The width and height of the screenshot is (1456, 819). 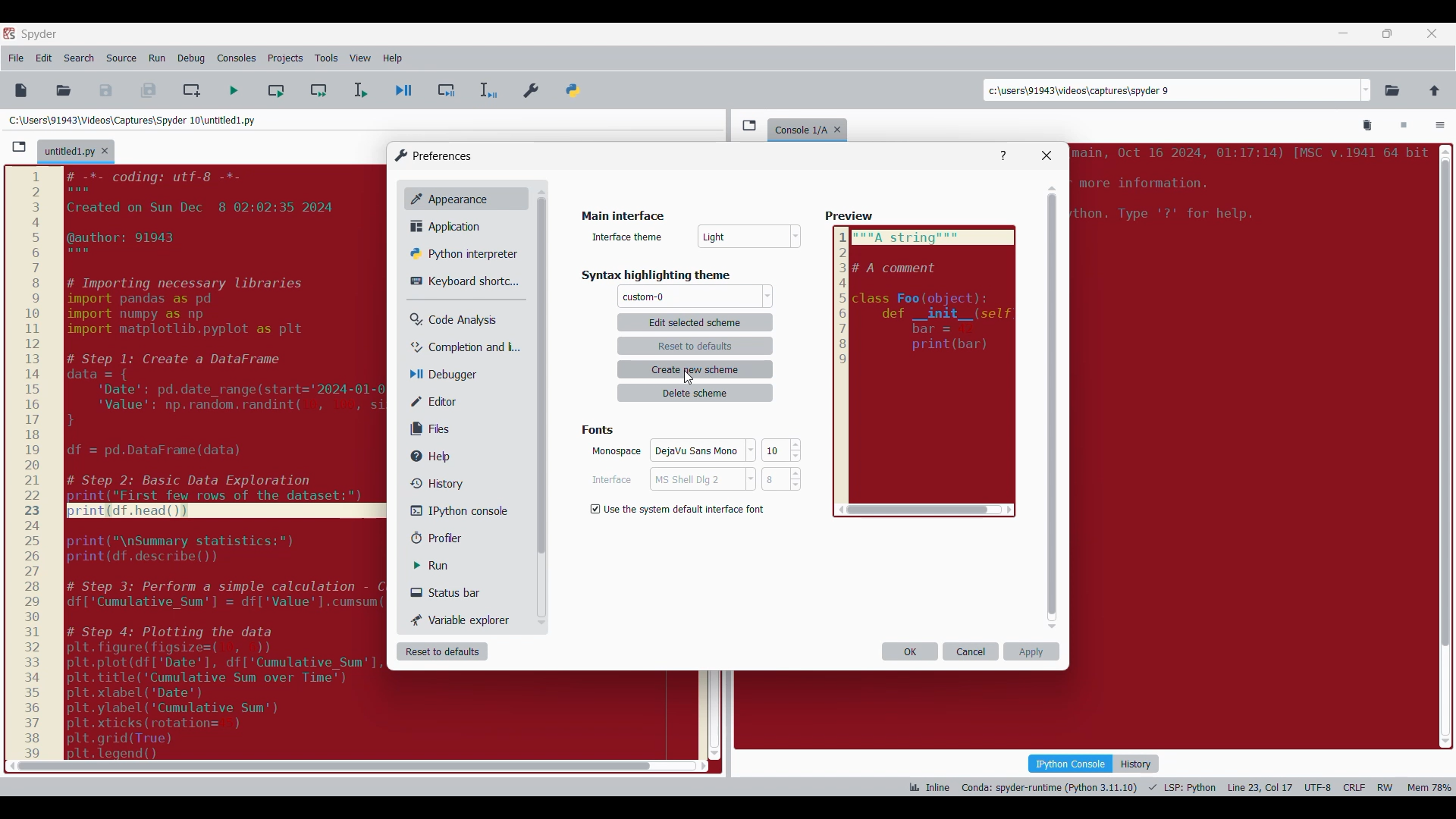 I want to click on Reset to defaults, so click(x=442, y=651).